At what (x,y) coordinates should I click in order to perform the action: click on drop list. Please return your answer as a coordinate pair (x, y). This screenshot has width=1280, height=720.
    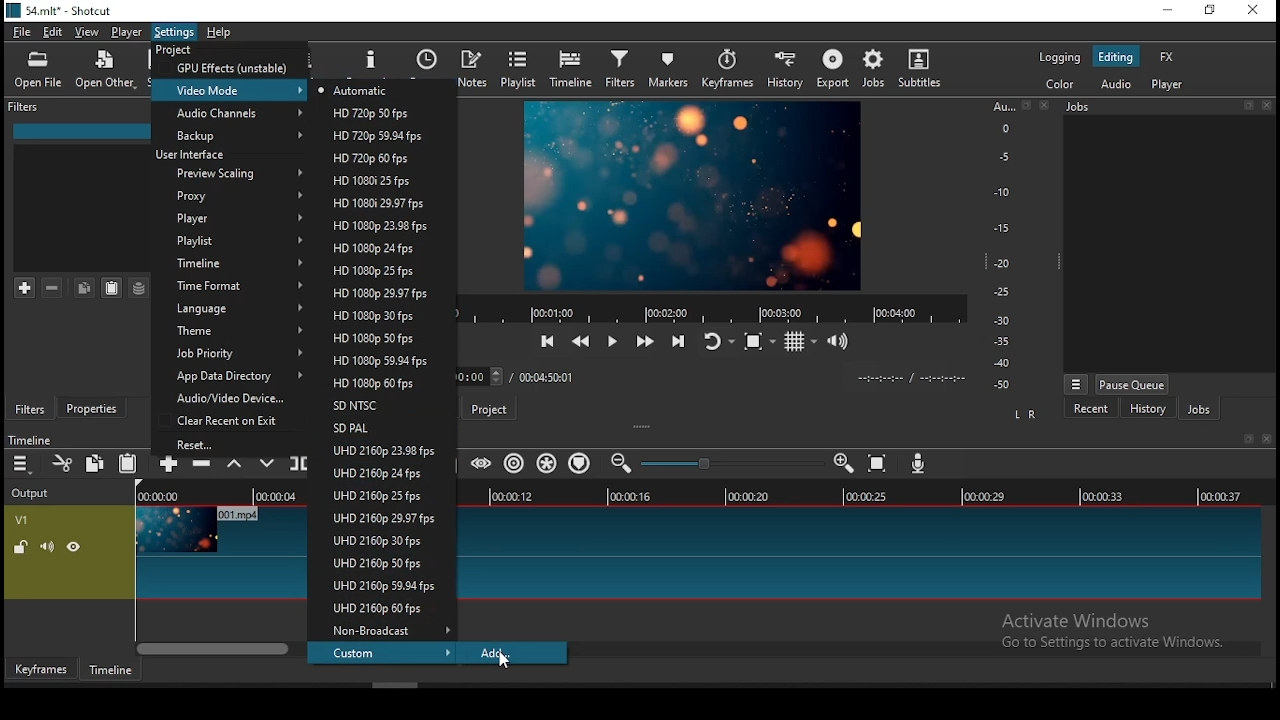
    Looking at the image, I should click on (481, 377).